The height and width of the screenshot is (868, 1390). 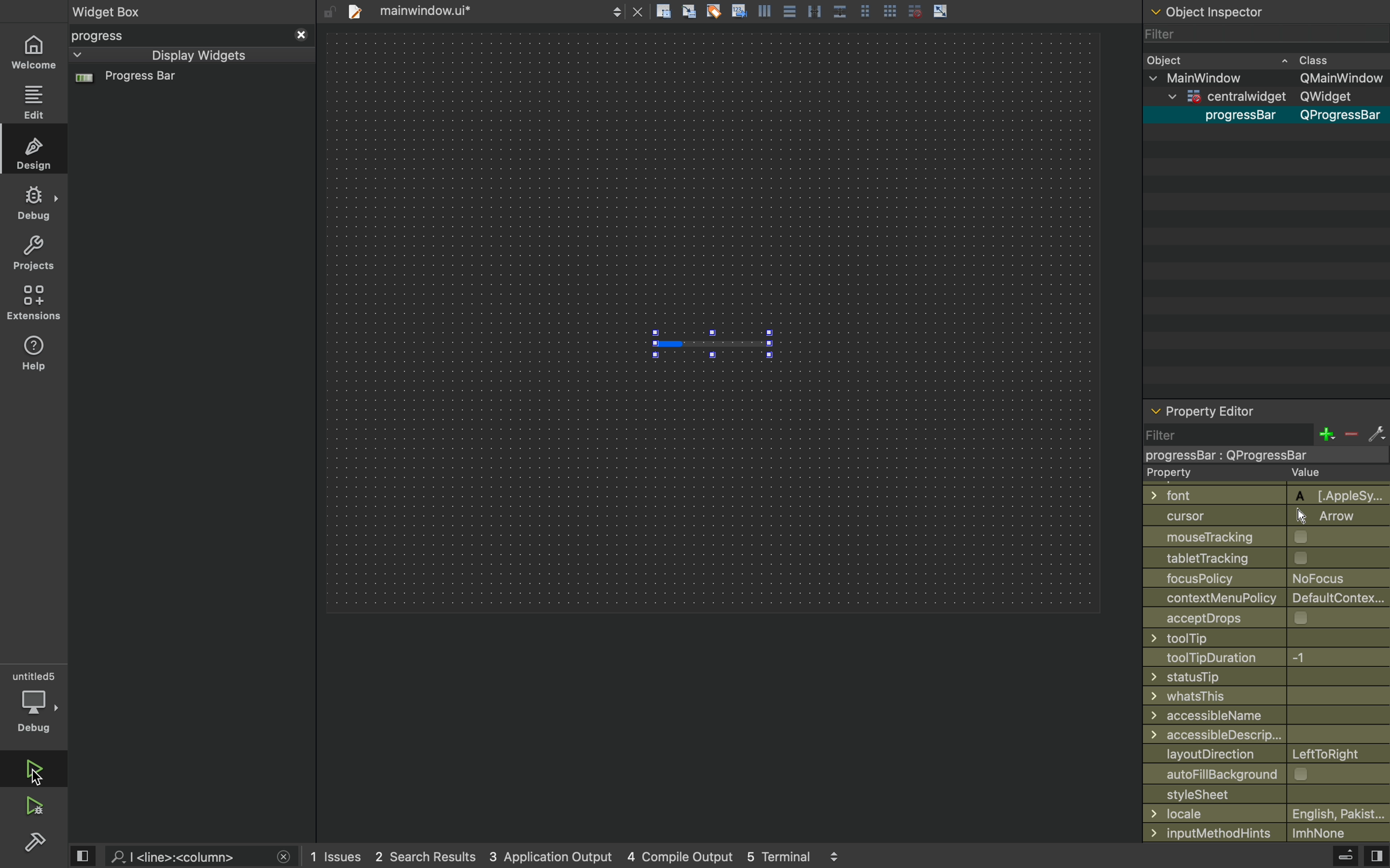 I want to click on property editor, so click(x=1266, y=413).